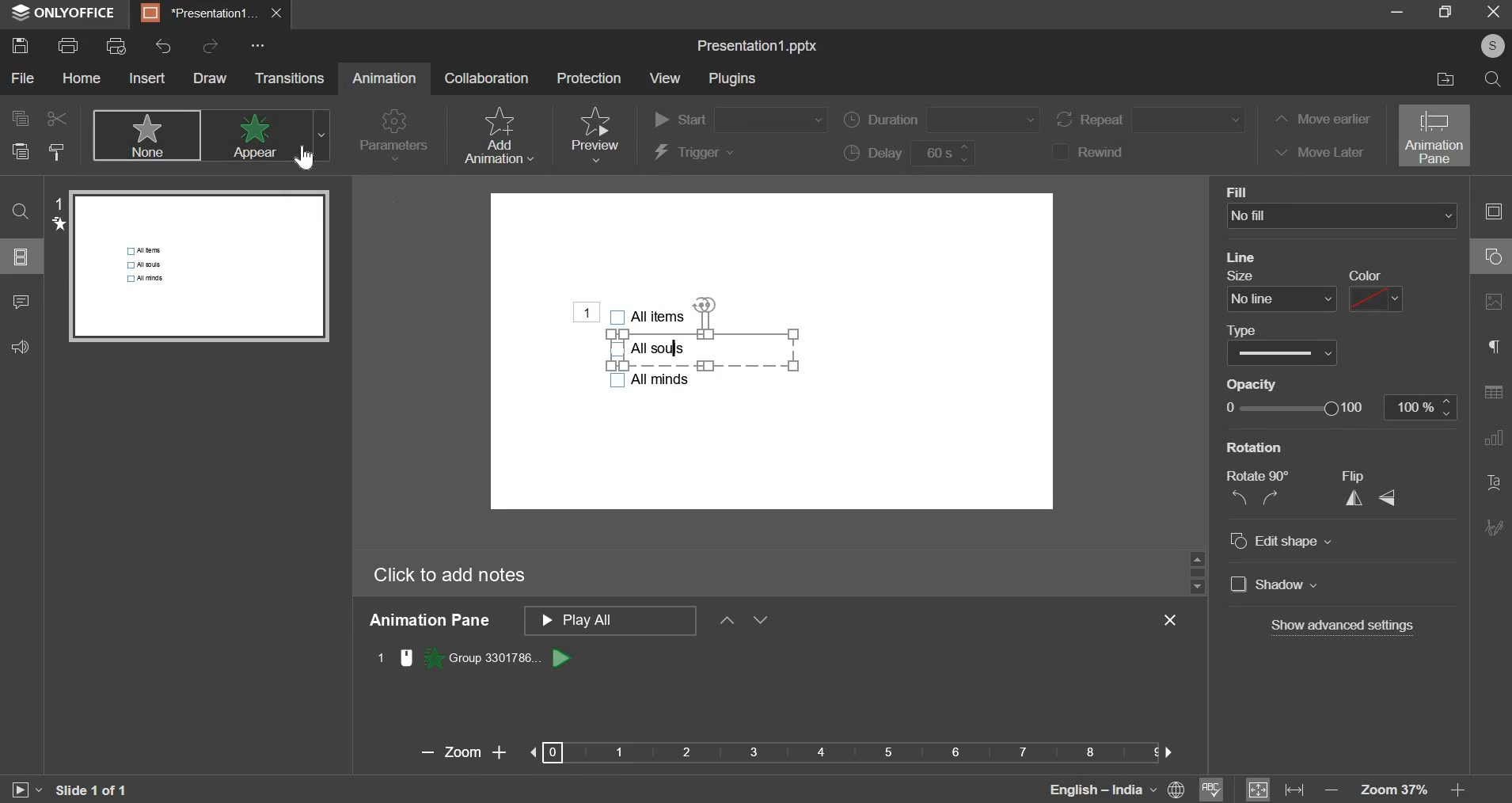 The image size is (1512, 803). What do you see at coordinates (115, 46) in the screenshot?
I see `print preview` at bounding box center [115, 46].